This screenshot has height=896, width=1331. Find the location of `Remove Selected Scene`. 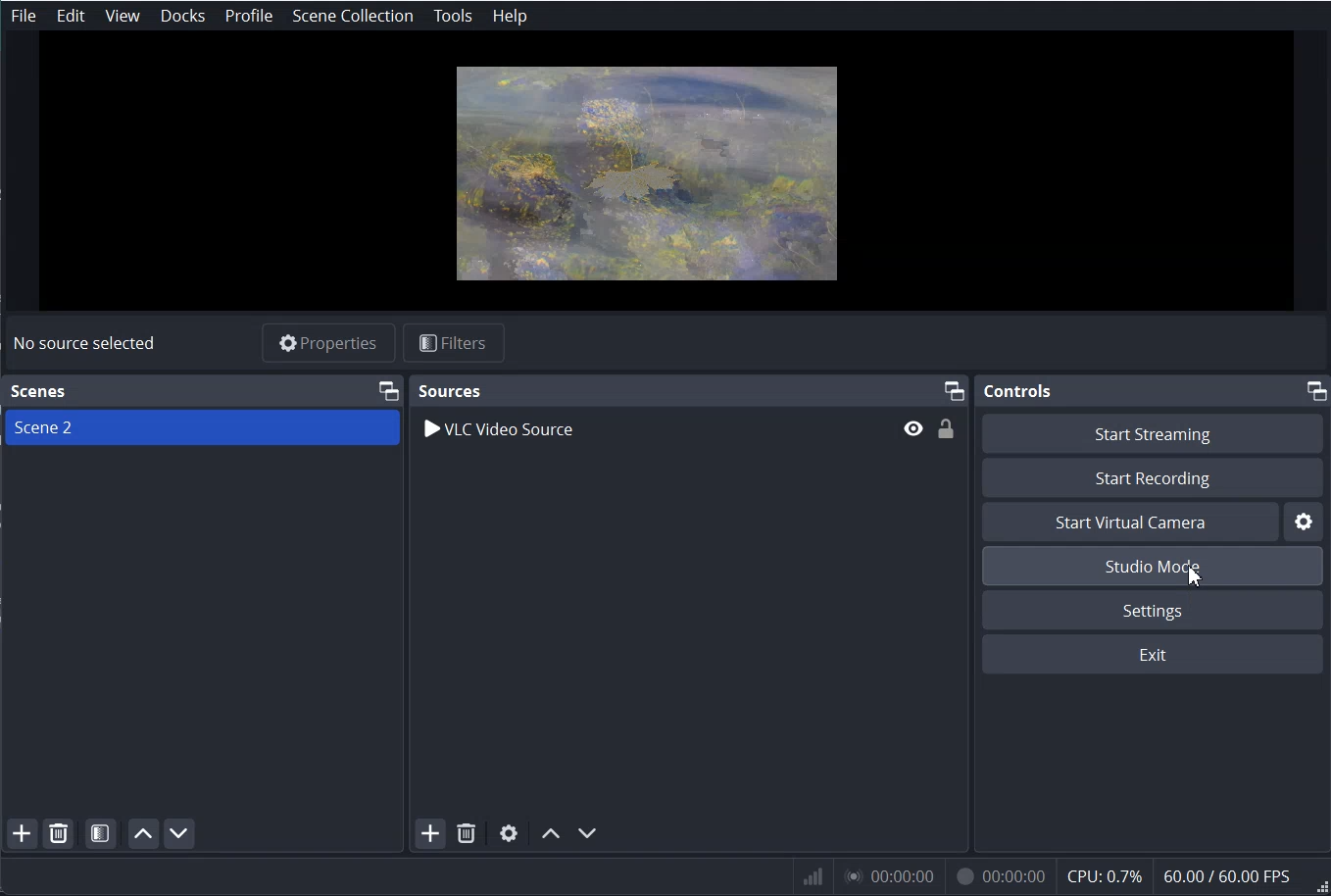

Remove Selected Scene is located at coordinates (58, 832).